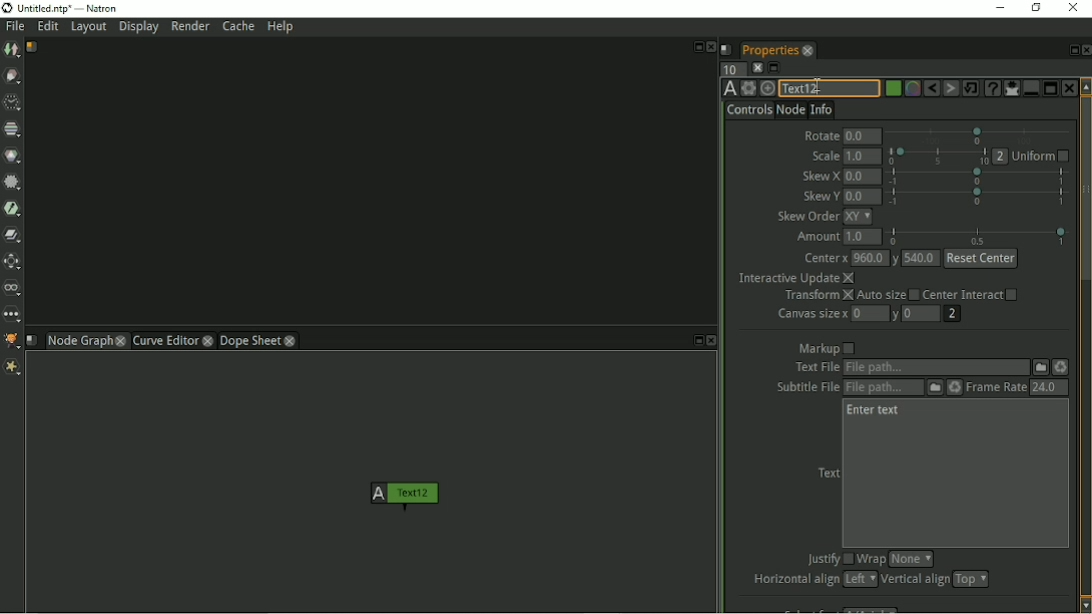 This screenshot has height=614, width=1092. I want to click on Float pane, so click(1071, 50).